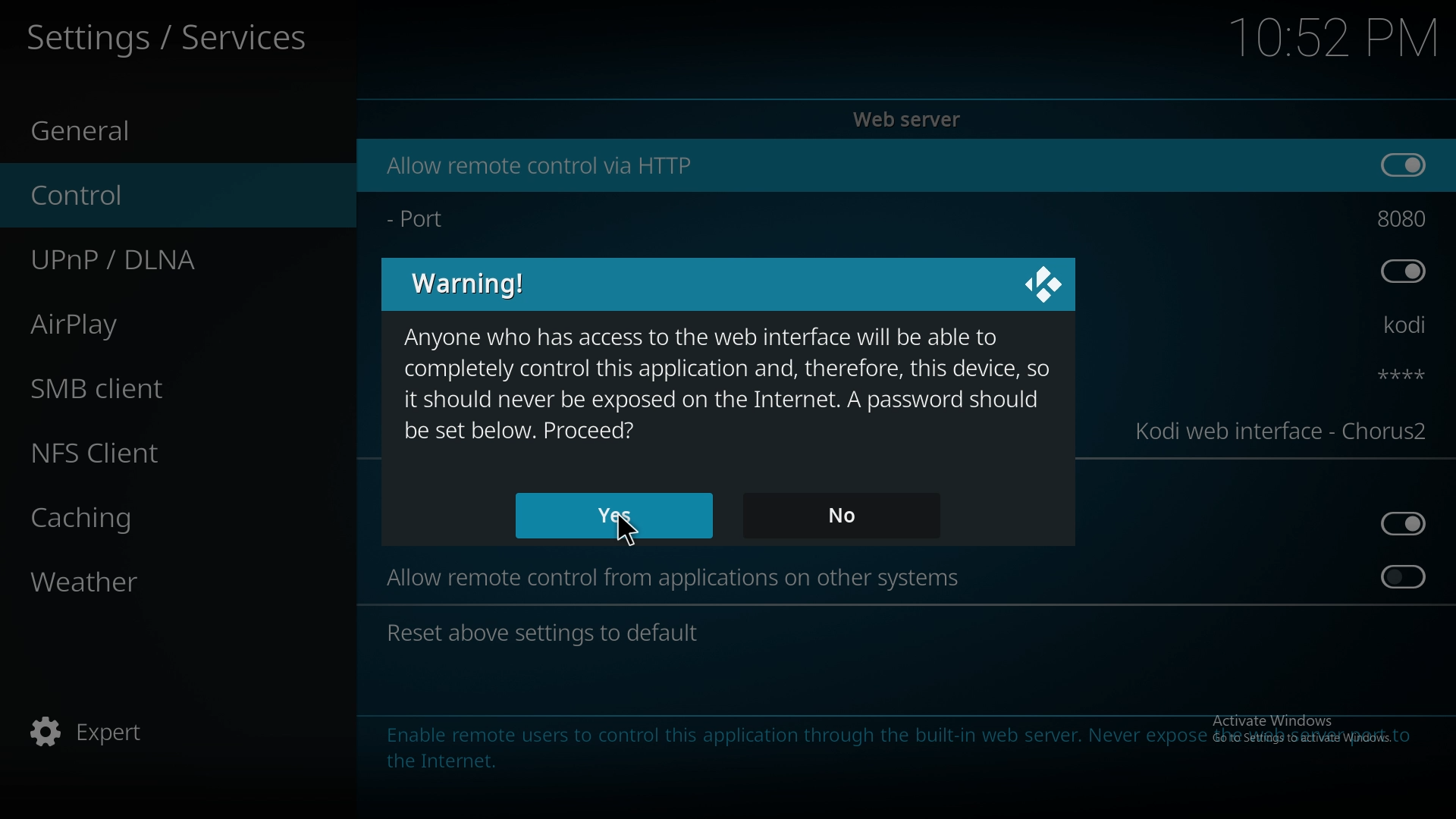 Image resolution: width=1456 pixels, height=819 pixels. Describe the element at coordinates (1395, 326) in the screenshot. I see `username` at that location.